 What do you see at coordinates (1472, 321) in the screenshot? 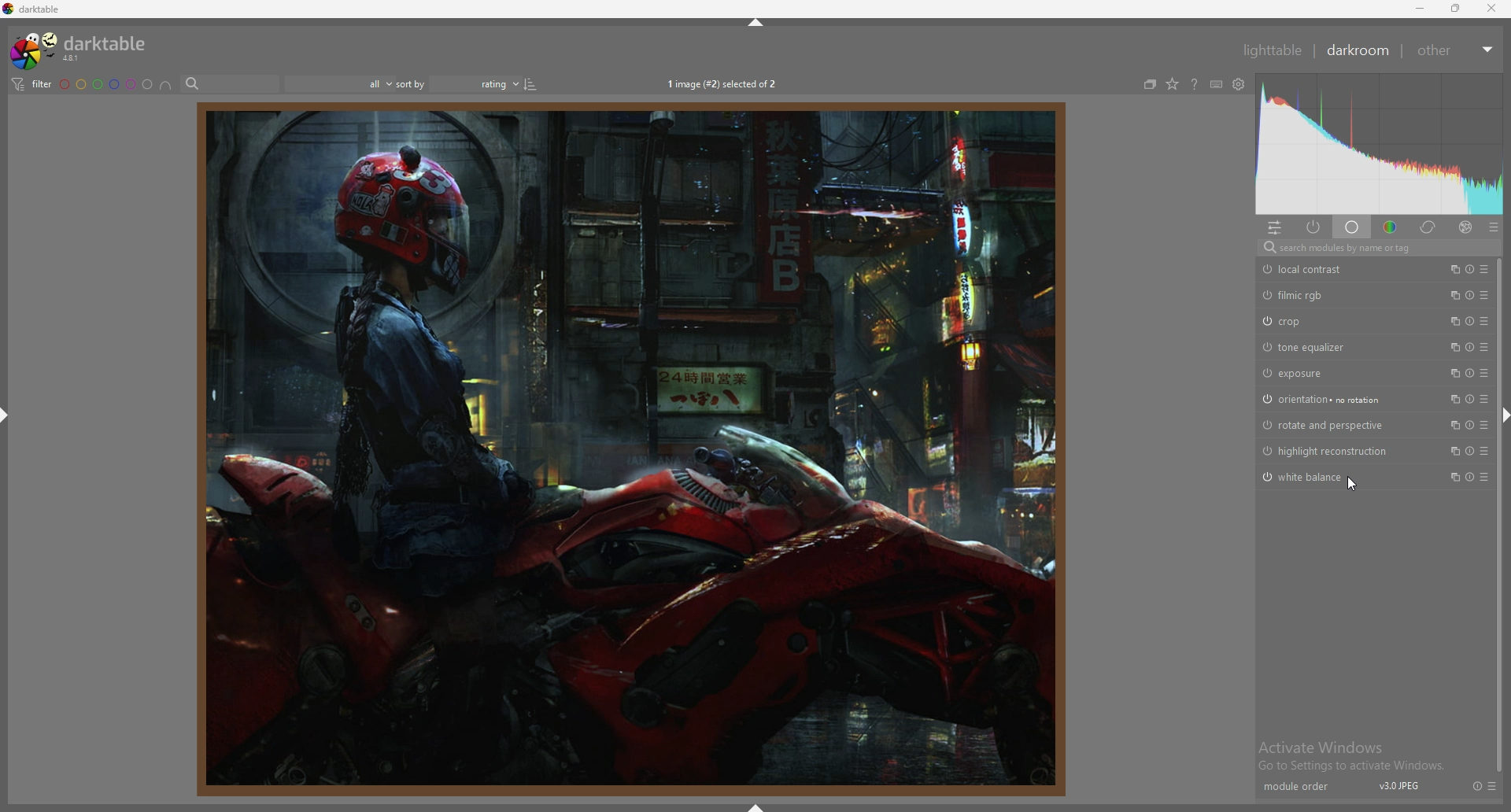
I see `reset` at bounding box center [1472, 321].